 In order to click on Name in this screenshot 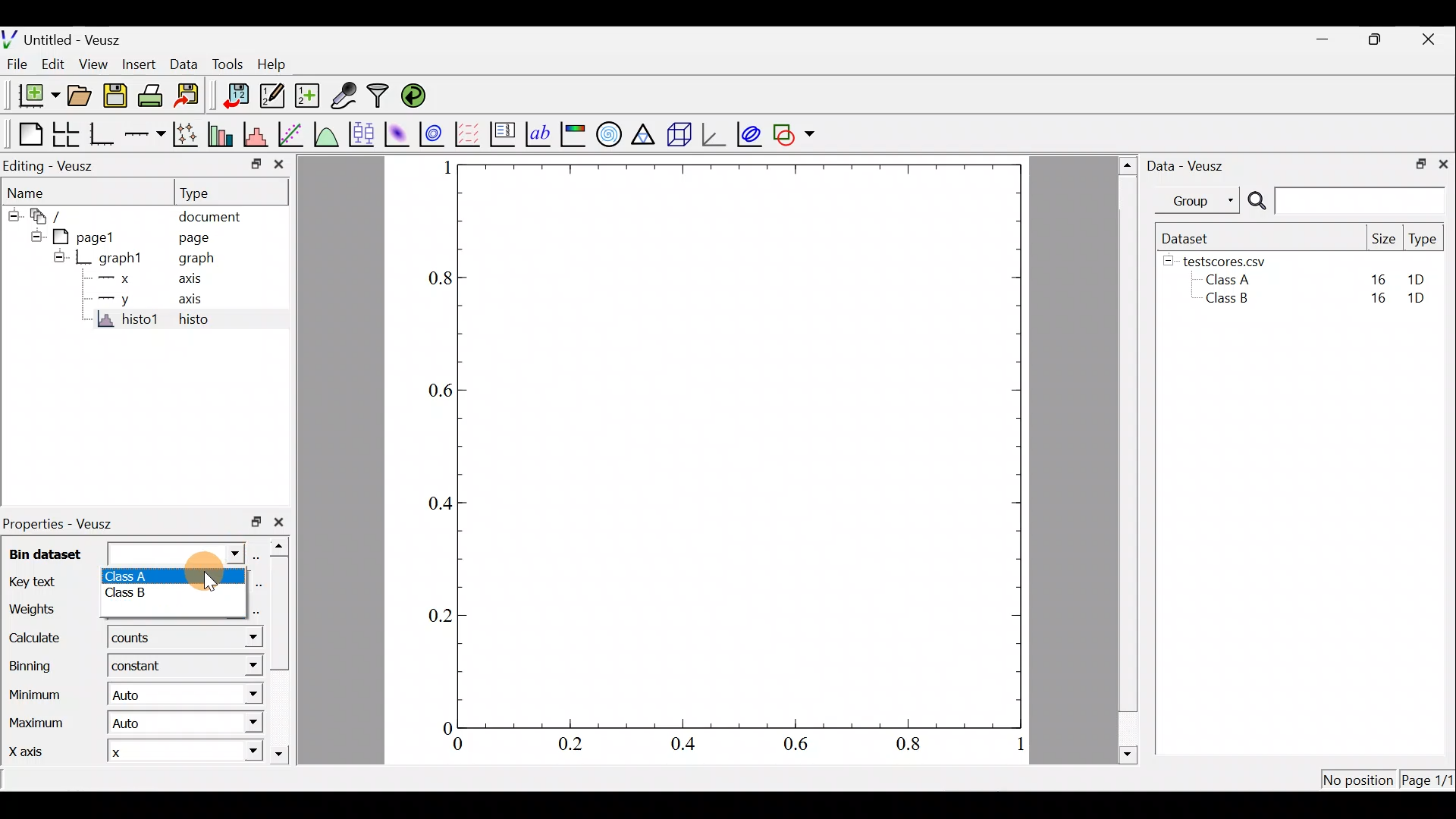, I will do `click(45, 193)`.